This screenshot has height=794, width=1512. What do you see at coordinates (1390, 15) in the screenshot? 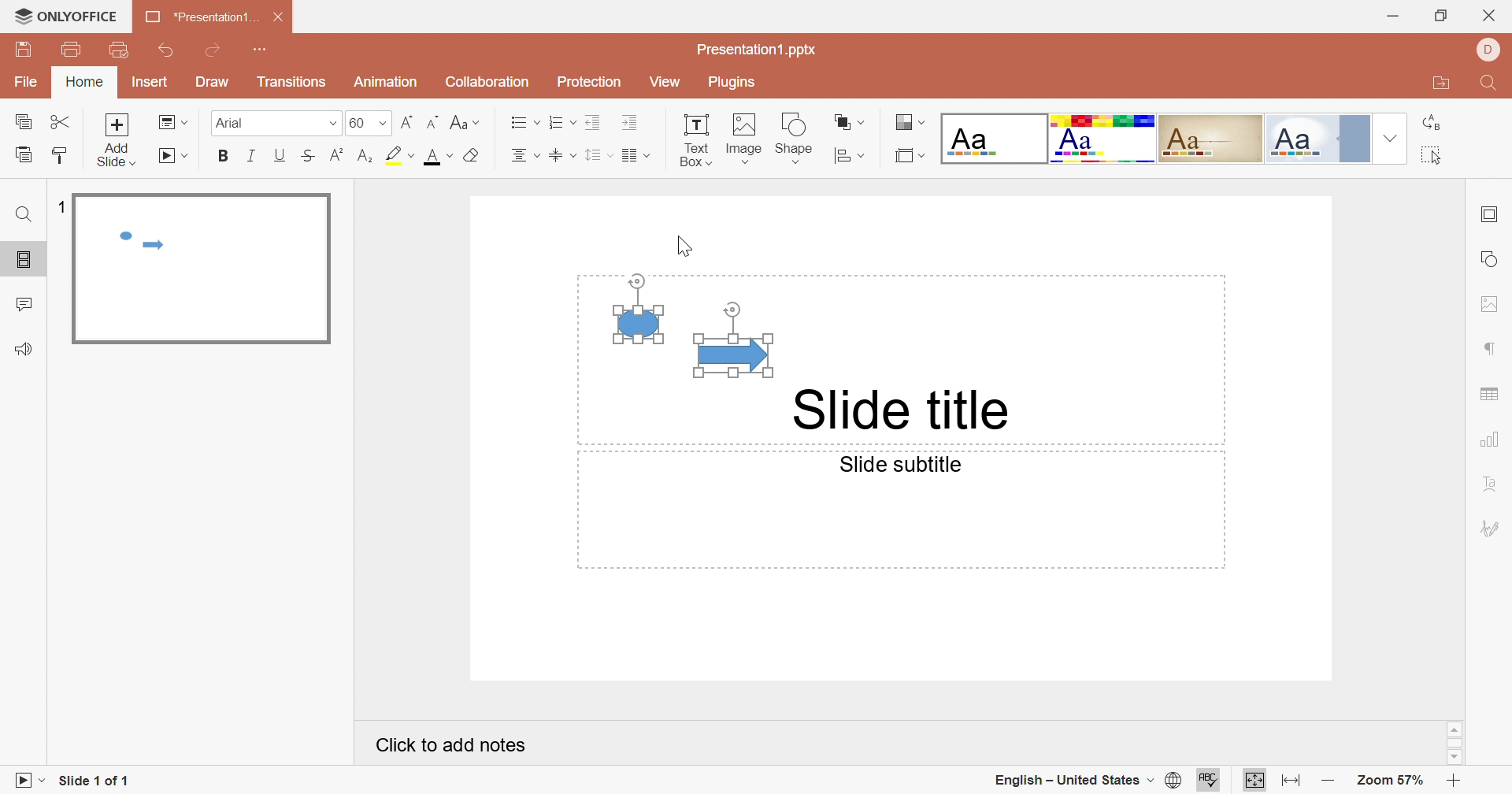
I see `Minimize` at bounding box center [1390, 15].